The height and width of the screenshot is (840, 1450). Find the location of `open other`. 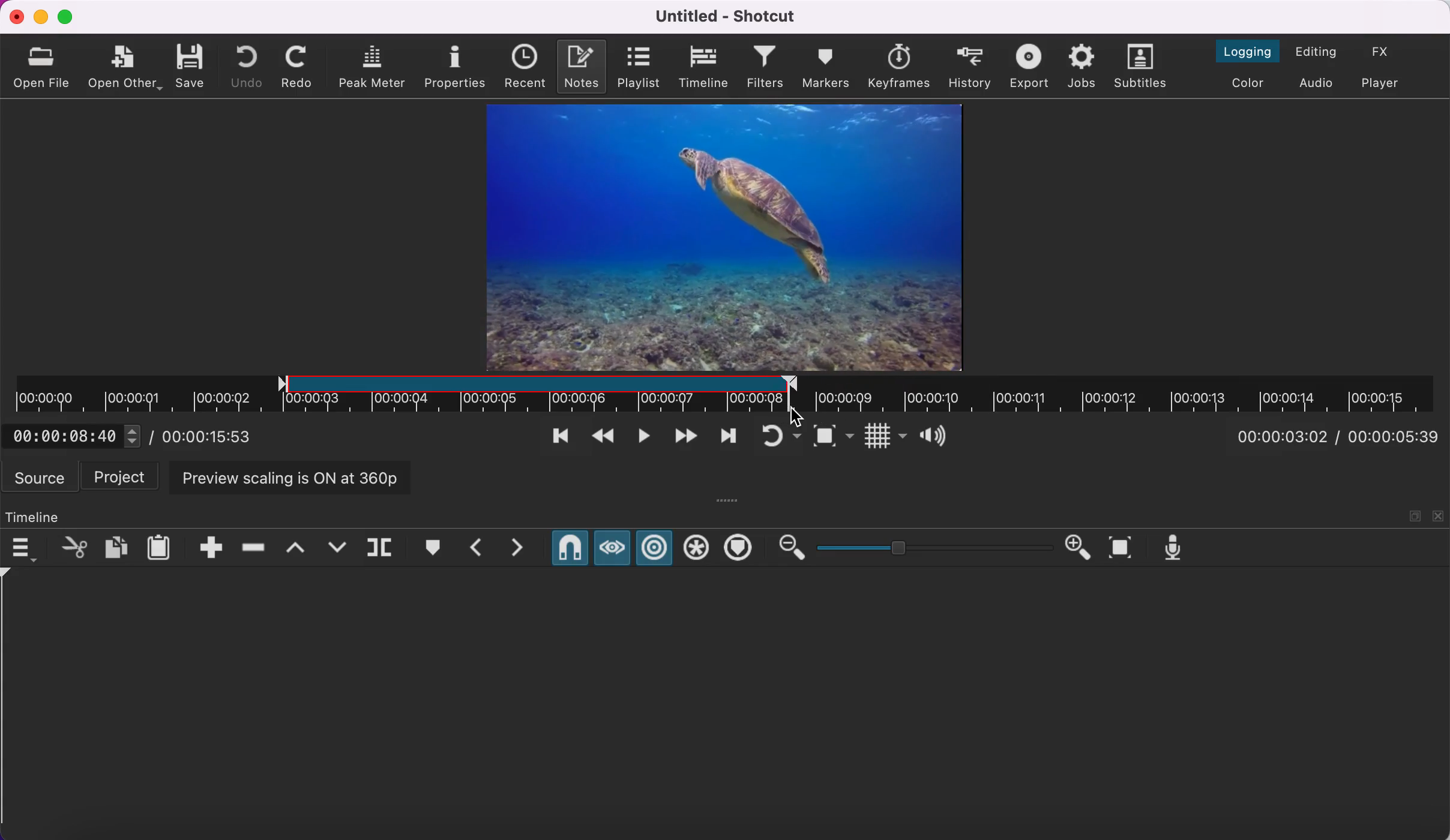

open other is located at coordinates (126, 68).